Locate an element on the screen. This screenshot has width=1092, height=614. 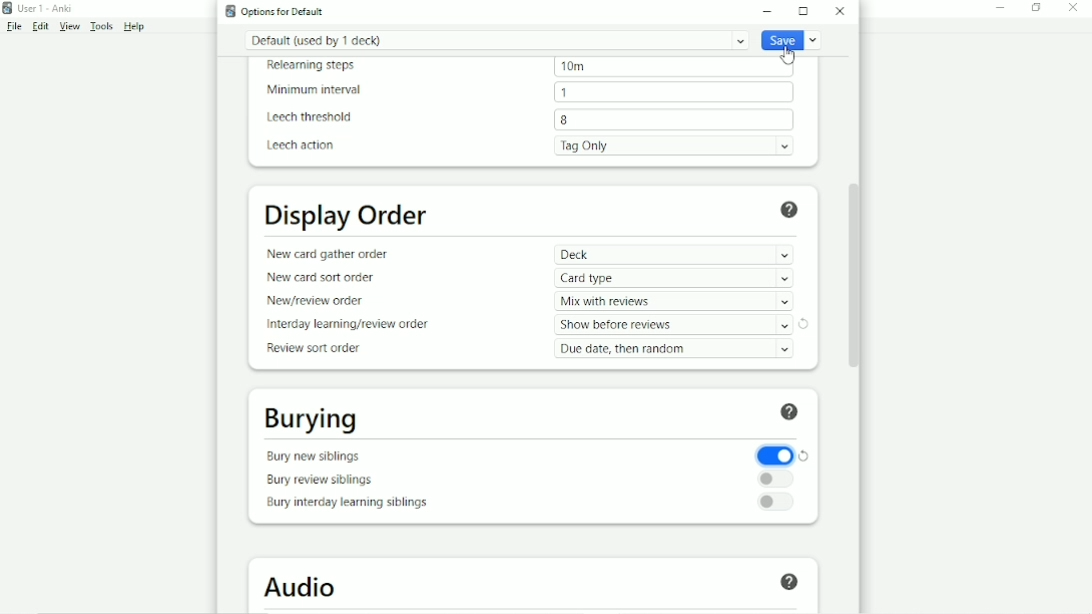
8 is located at coordinates (567, 121).